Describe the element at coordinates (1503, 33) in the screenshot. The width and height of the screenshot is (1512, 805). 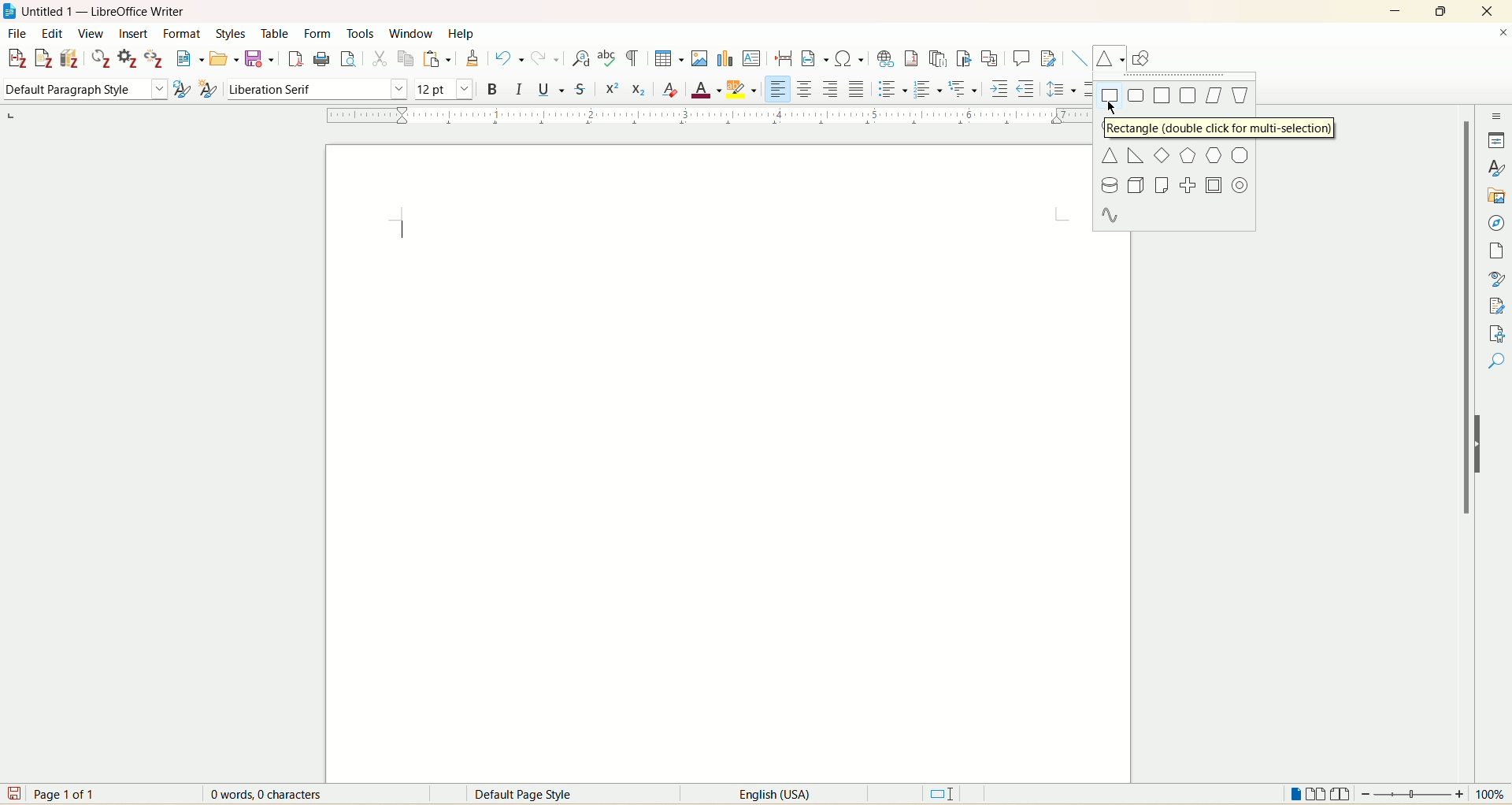
I see `close document` at that location.